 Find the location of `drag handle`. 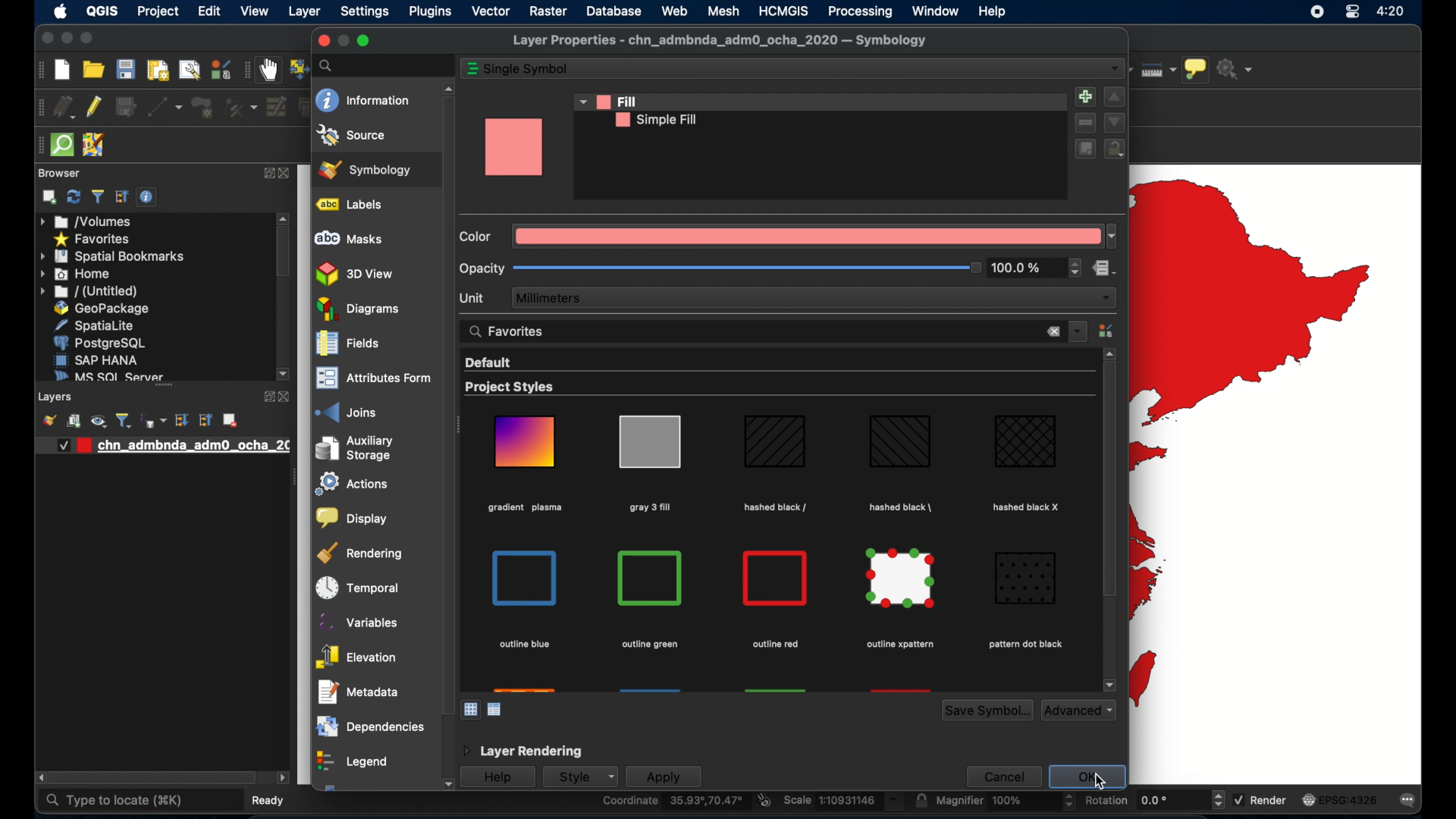

drag handle is located at coordinates (460, 427).